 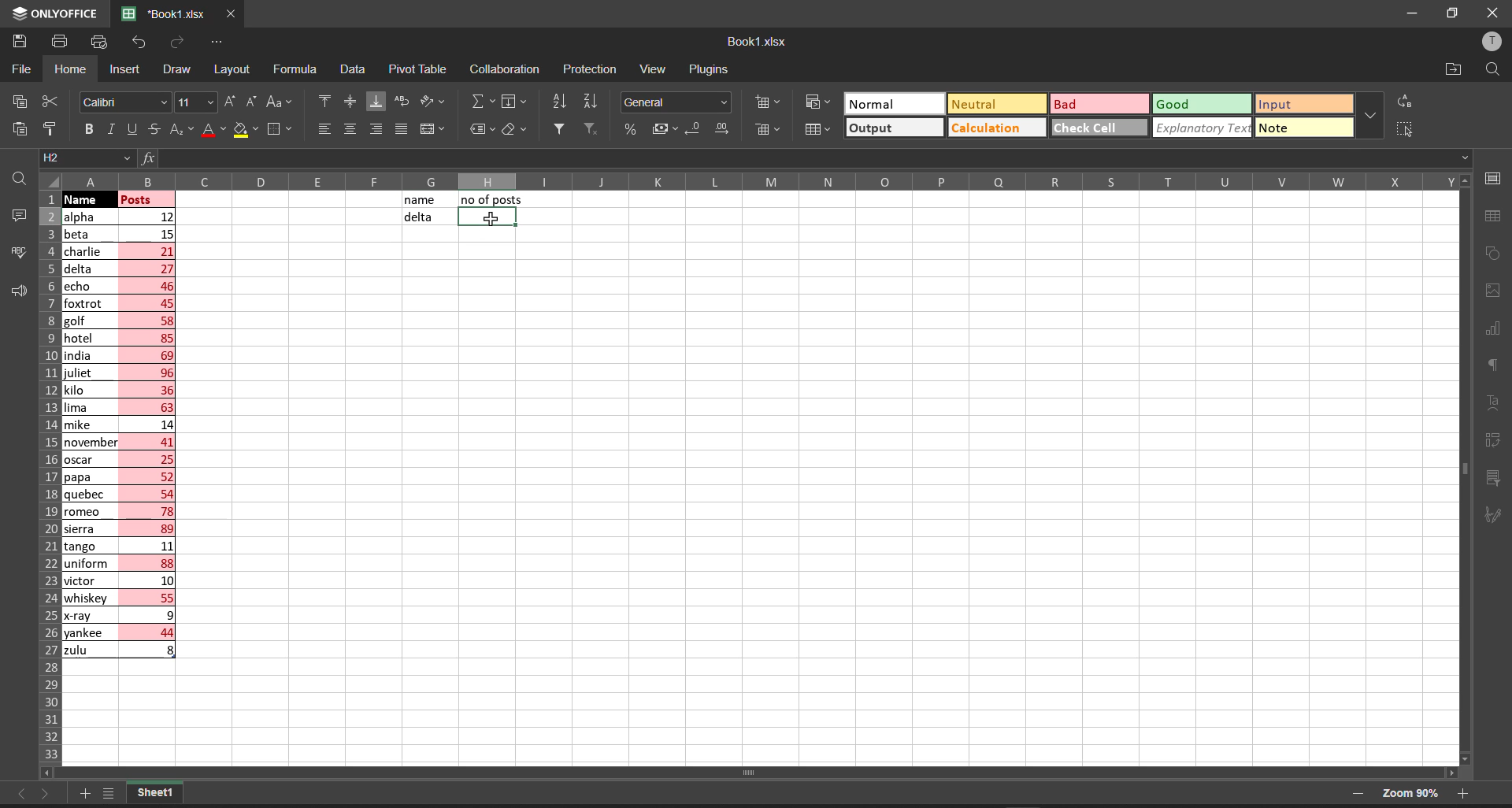 I want to click on merge and center, so click(x=433, y=130).